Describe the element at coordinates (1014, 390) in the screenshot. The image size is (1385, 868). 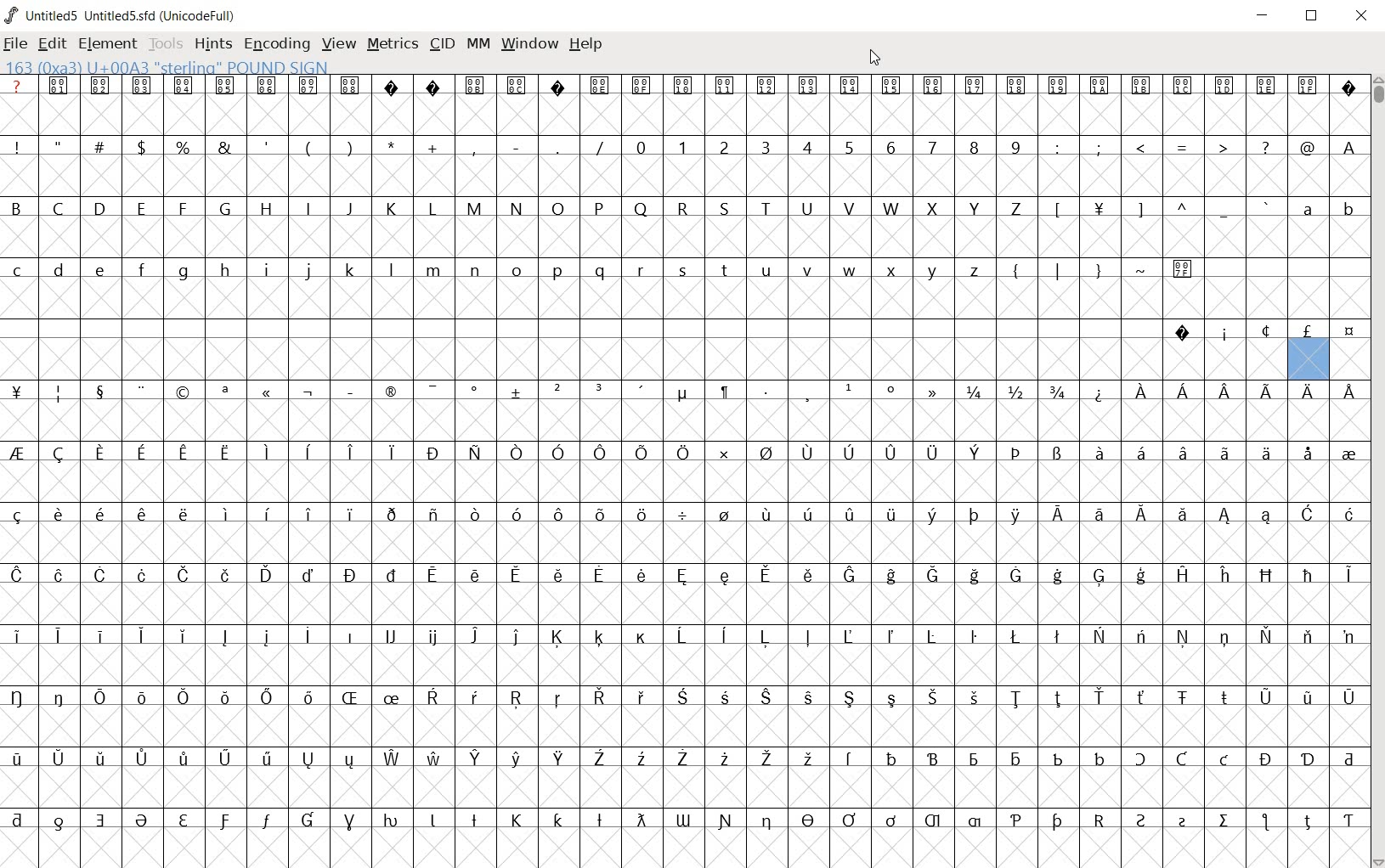
I see `1/2` at that location.